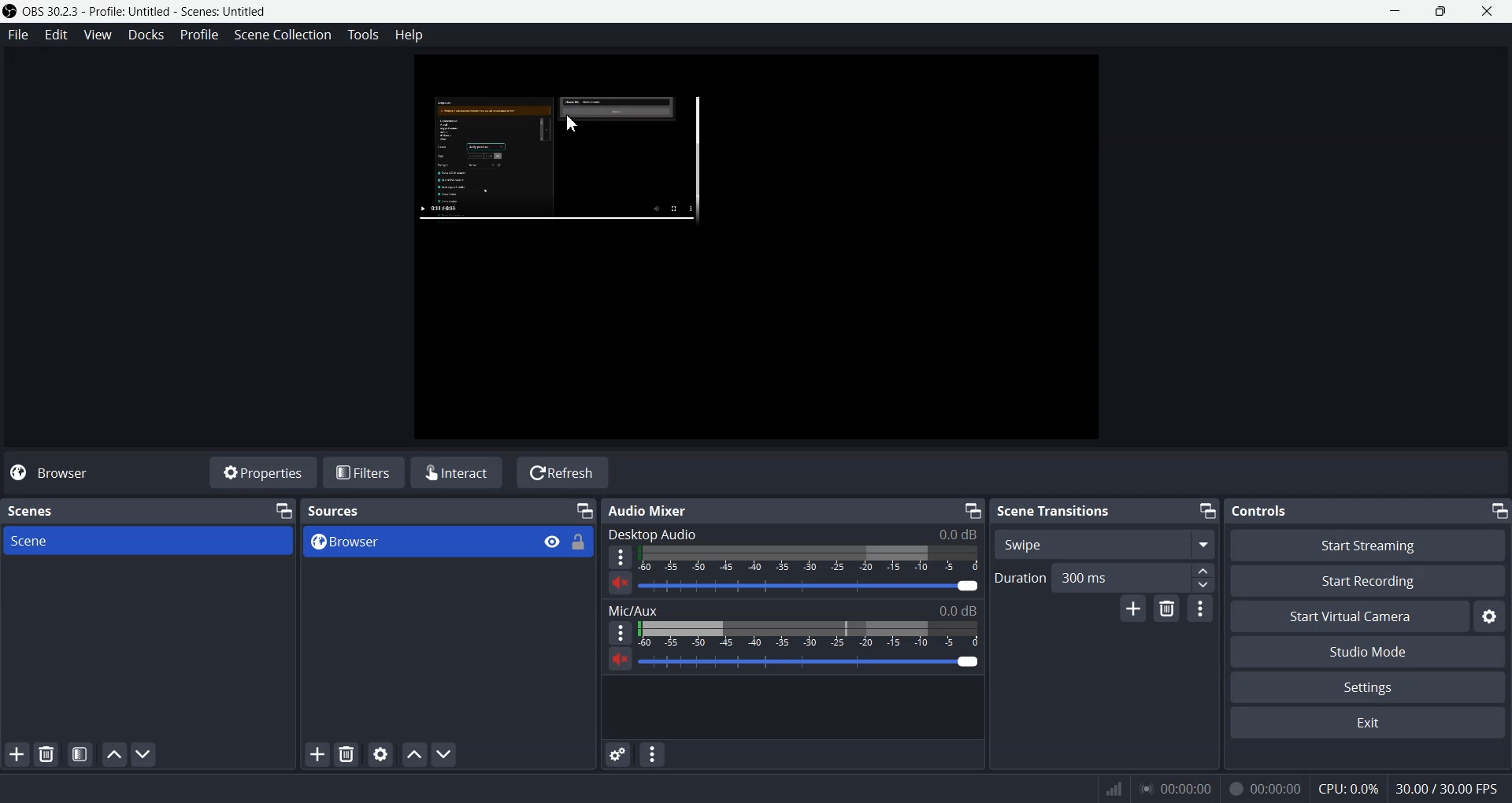 The height and width of the screenshot is (803, 1512). I want to click on Docks, so click(148, 35).